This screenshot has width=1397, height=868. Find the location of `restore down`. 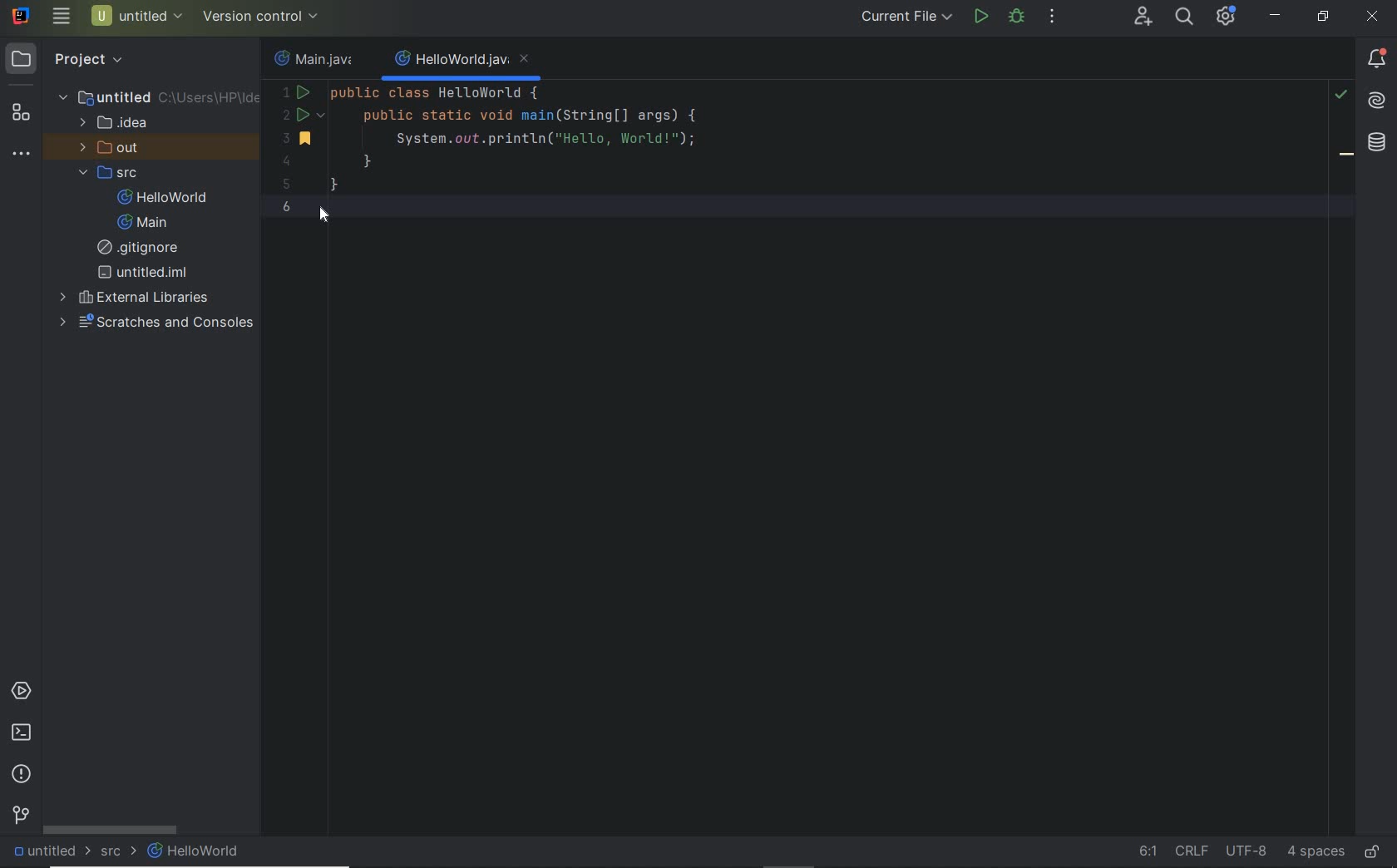

restore down is located at coordinates (1323, 18).